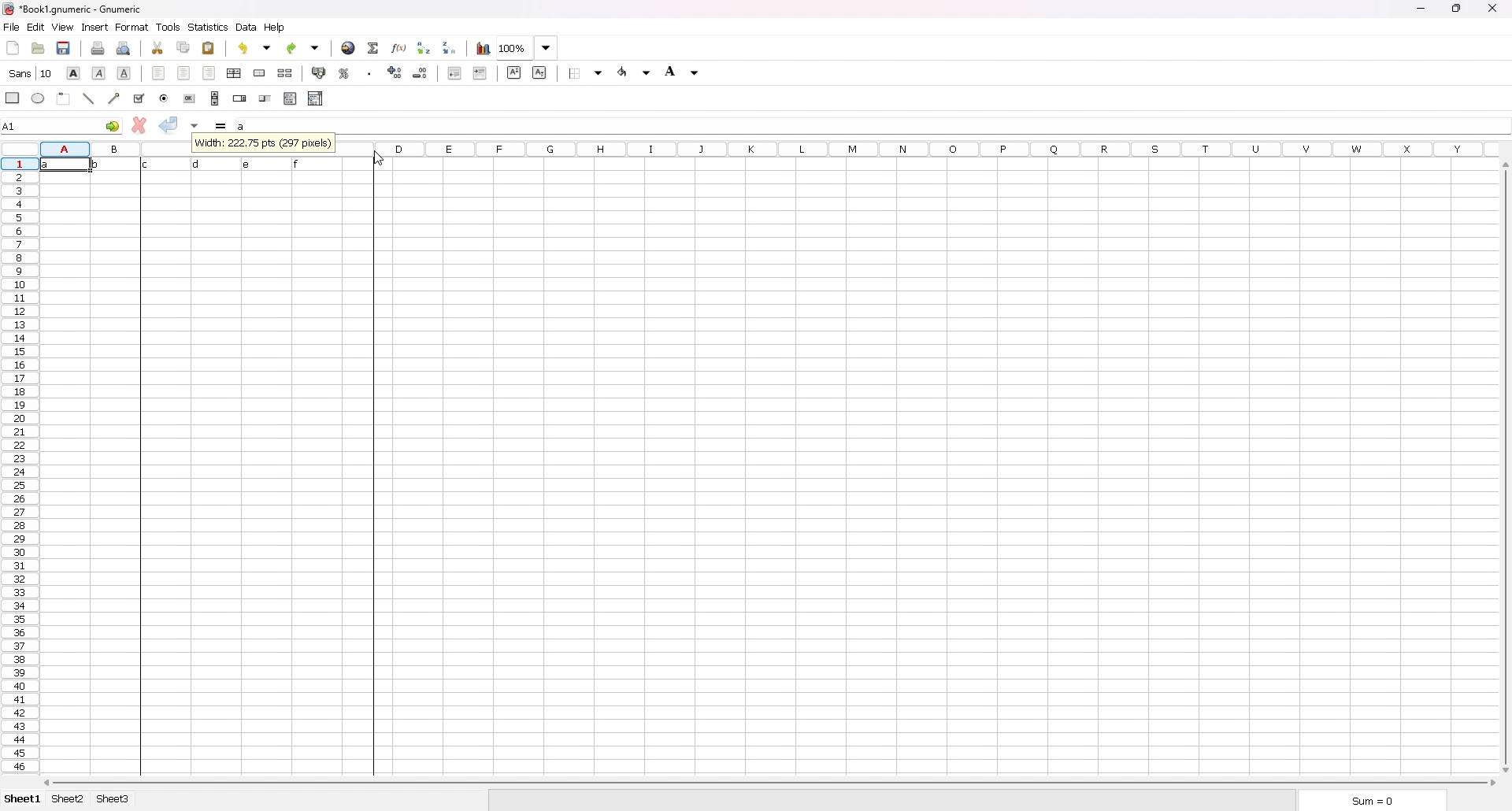 This screenshot has height=811, width=1512. What do you see at coordinates (65, 46) in the screenshot?
I see `save` at bounding box center [65, 46].